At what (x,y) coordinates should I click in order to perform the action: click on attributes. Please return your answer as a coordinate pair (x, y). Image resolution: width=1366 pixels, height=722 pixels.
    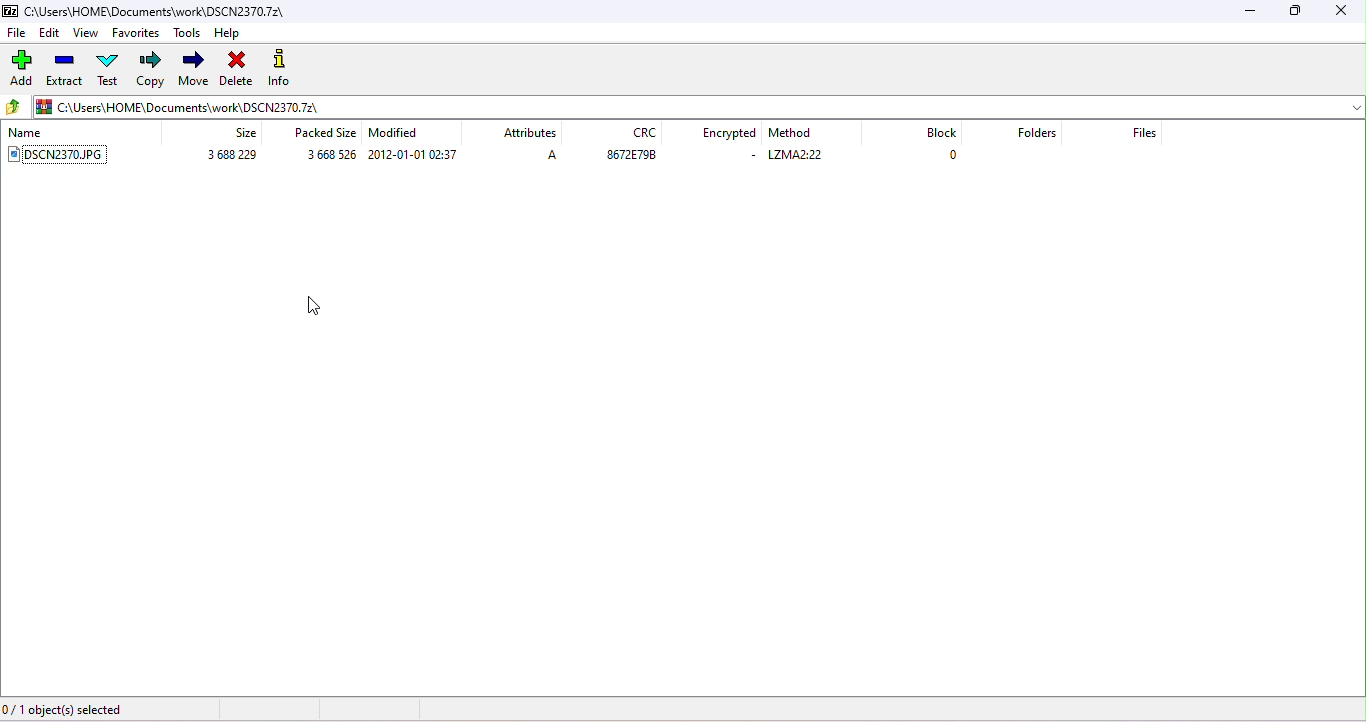
    Looking at the image, I should click on (531, 132).